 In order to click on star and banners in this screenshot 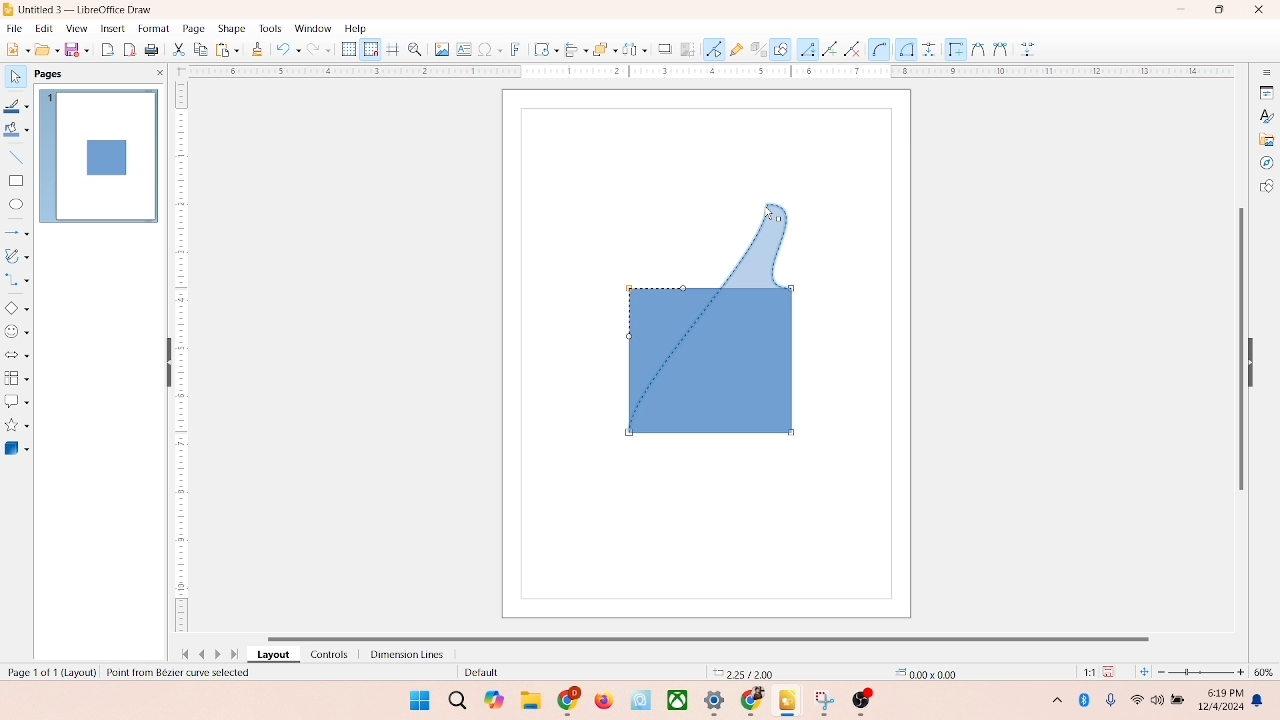, I will do `click(19, 425)`.